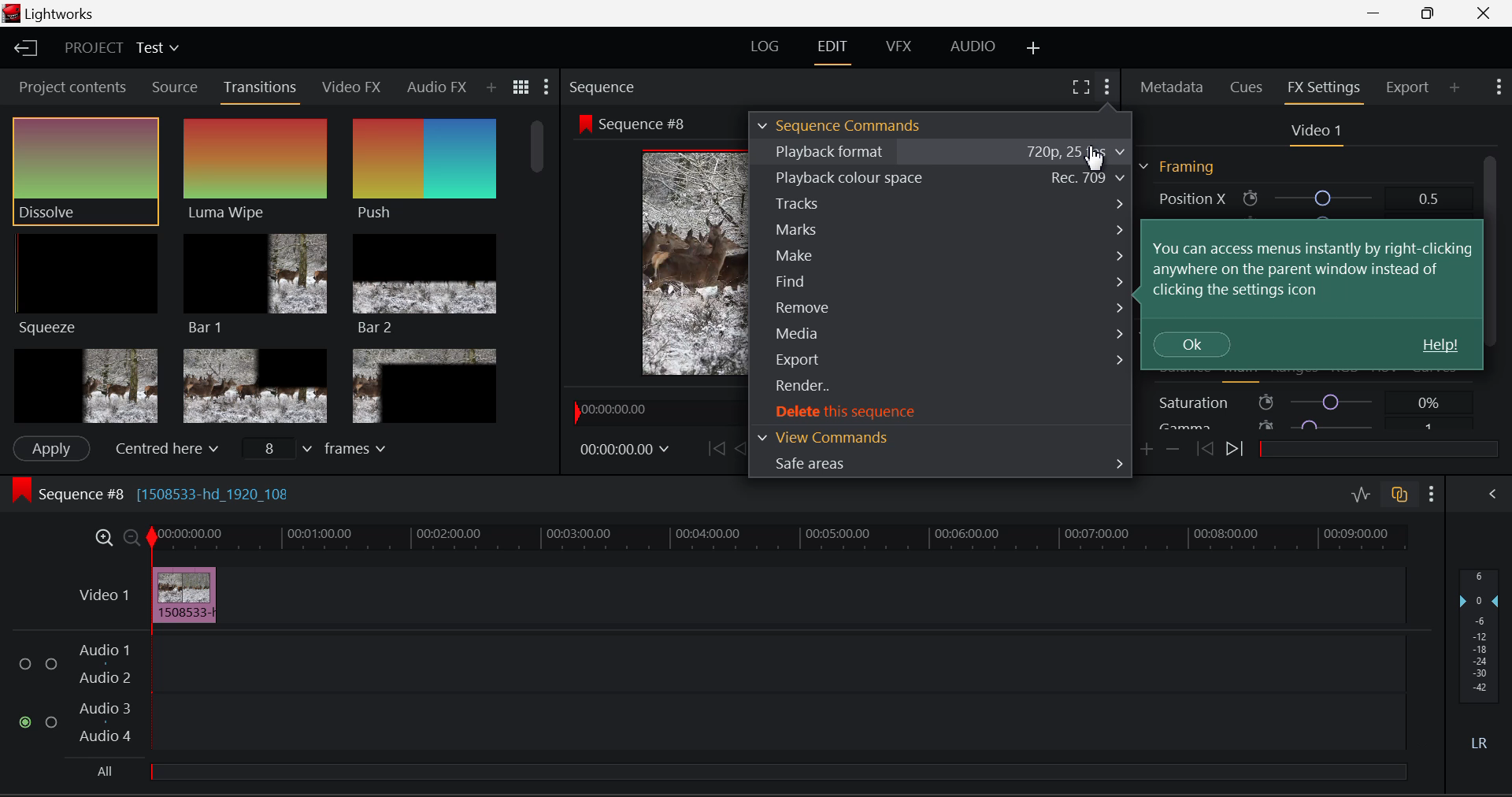  What do you see at coordinates (175, 89) in the screenshot?
I see `Source` at bounding box center [175, 89].